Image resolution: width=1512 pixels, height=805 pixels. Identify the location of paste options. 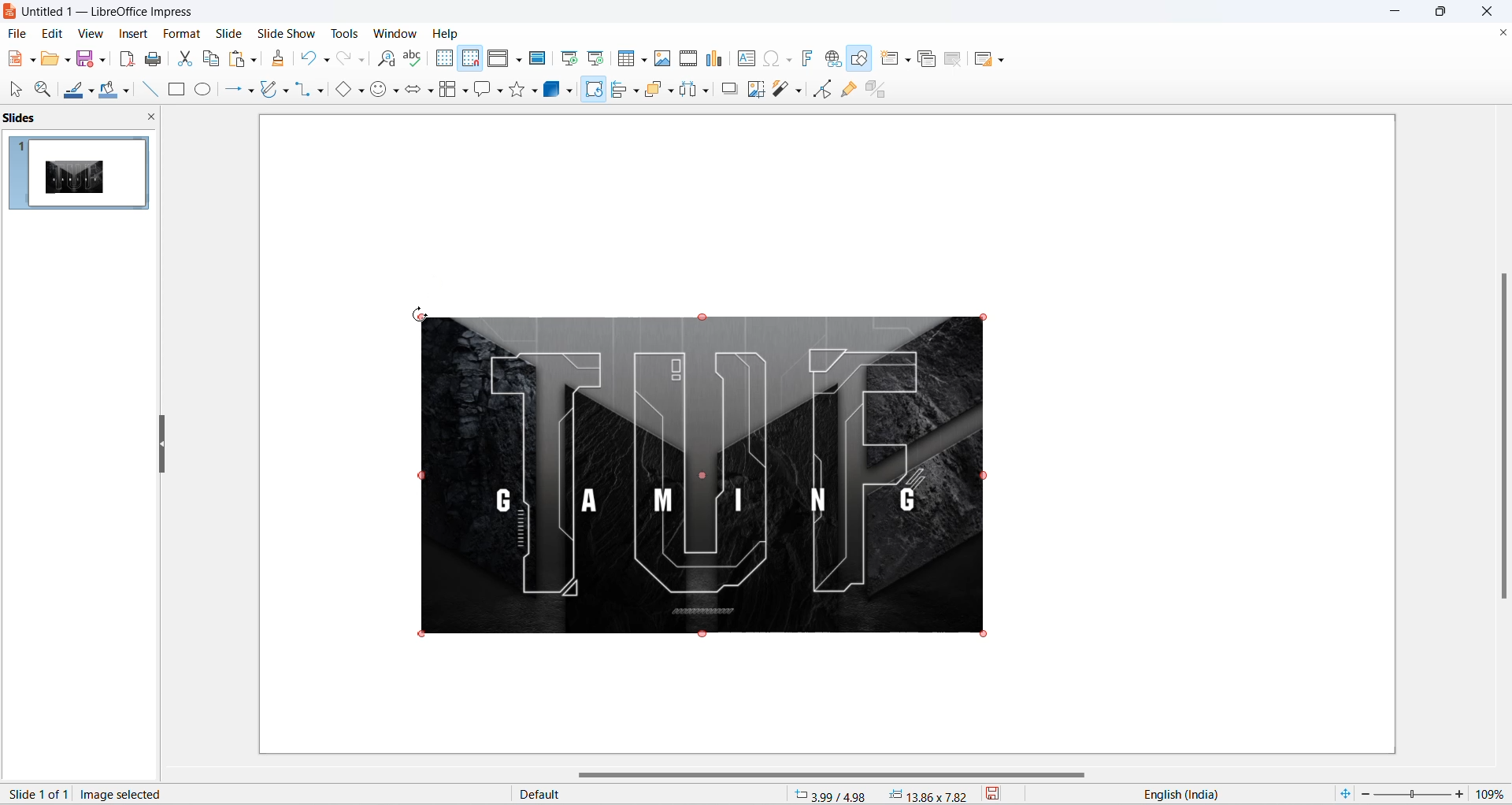
(253, 57).